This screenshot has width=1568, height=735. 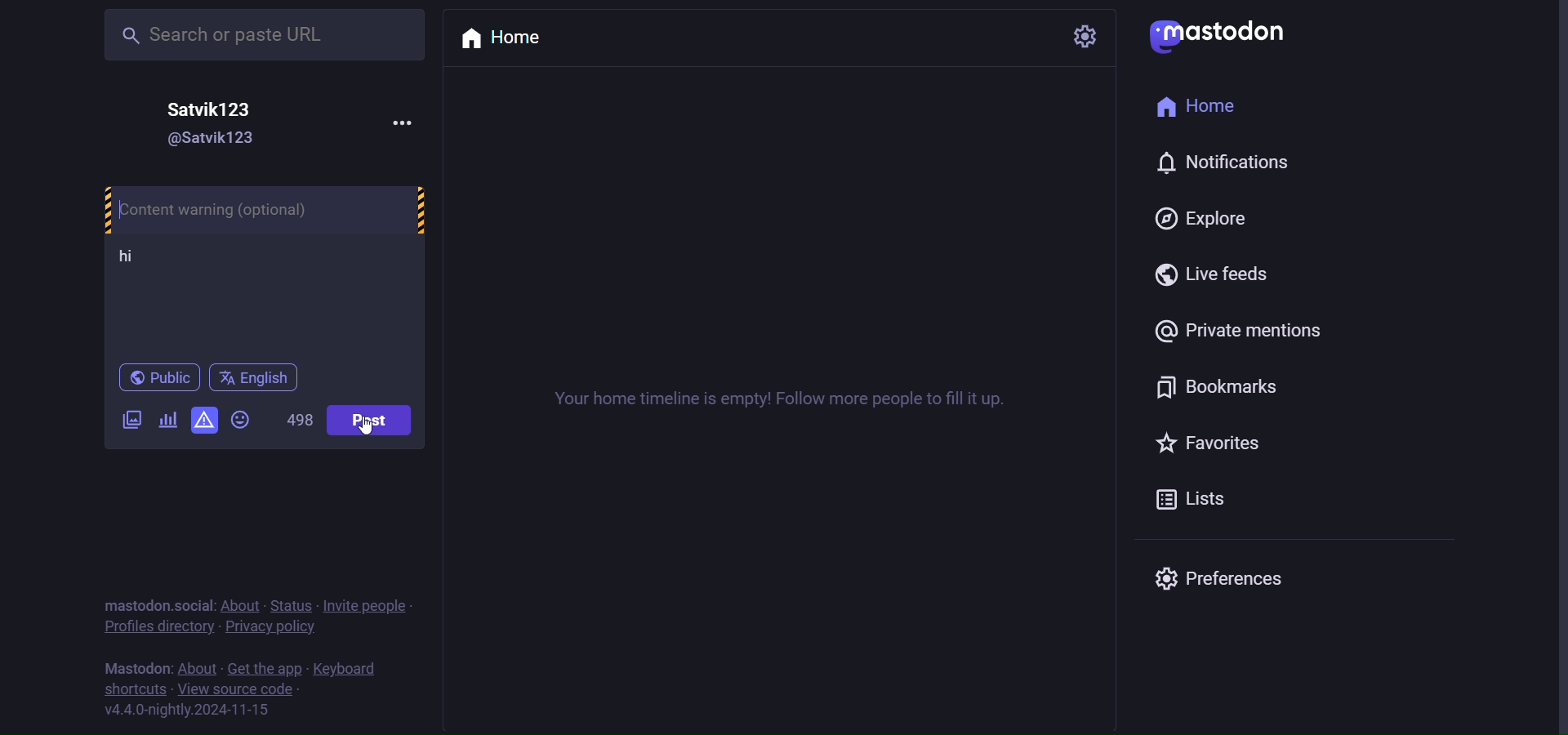 What do you see at coordinates (247, 420) in the screenshot?
I see `emoji` at bounding box center [247, 420].